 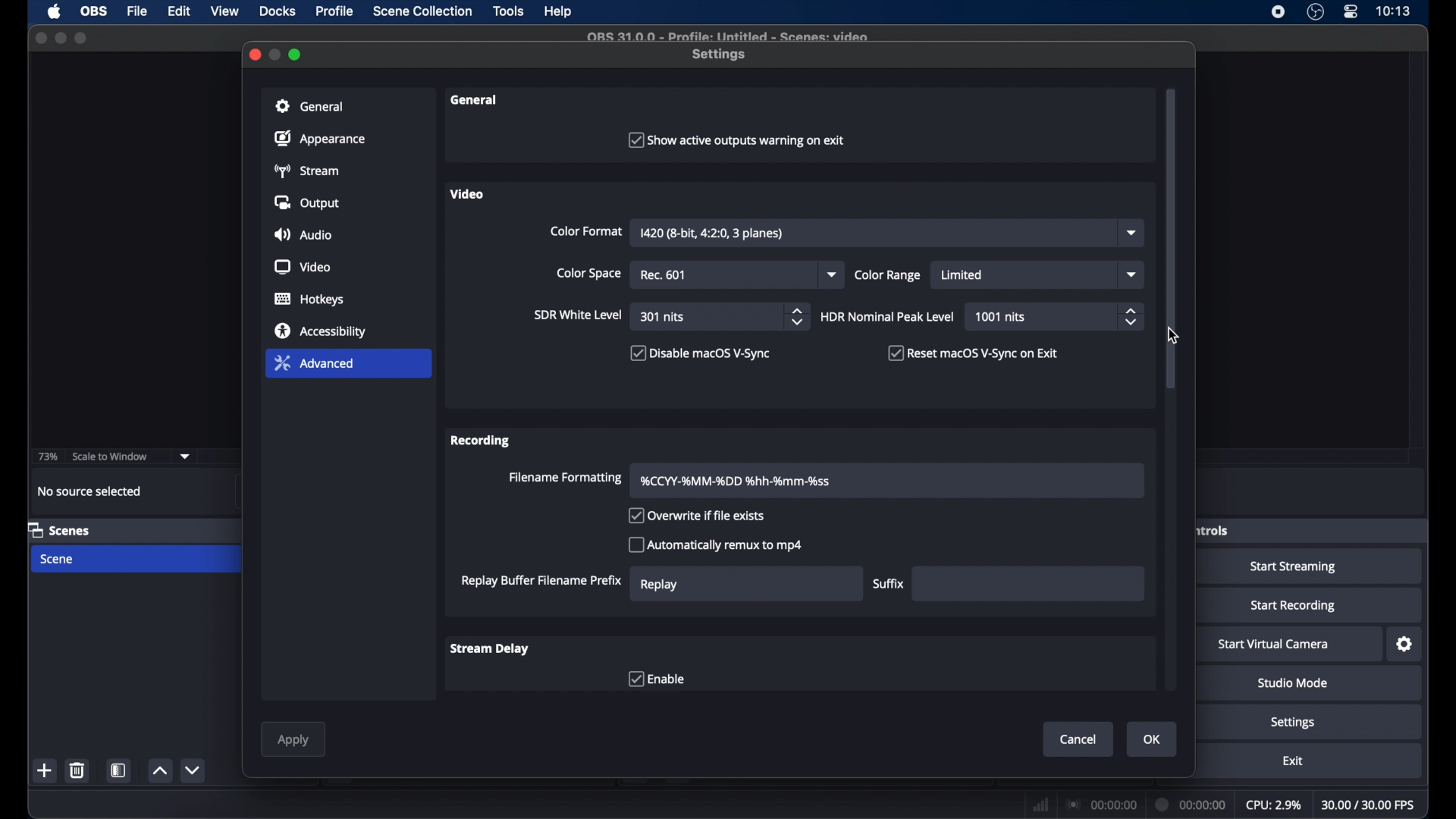 What do you see at coordinates (309, 202) in the screenshot?
I see `output` at bounding box center [309, 202].